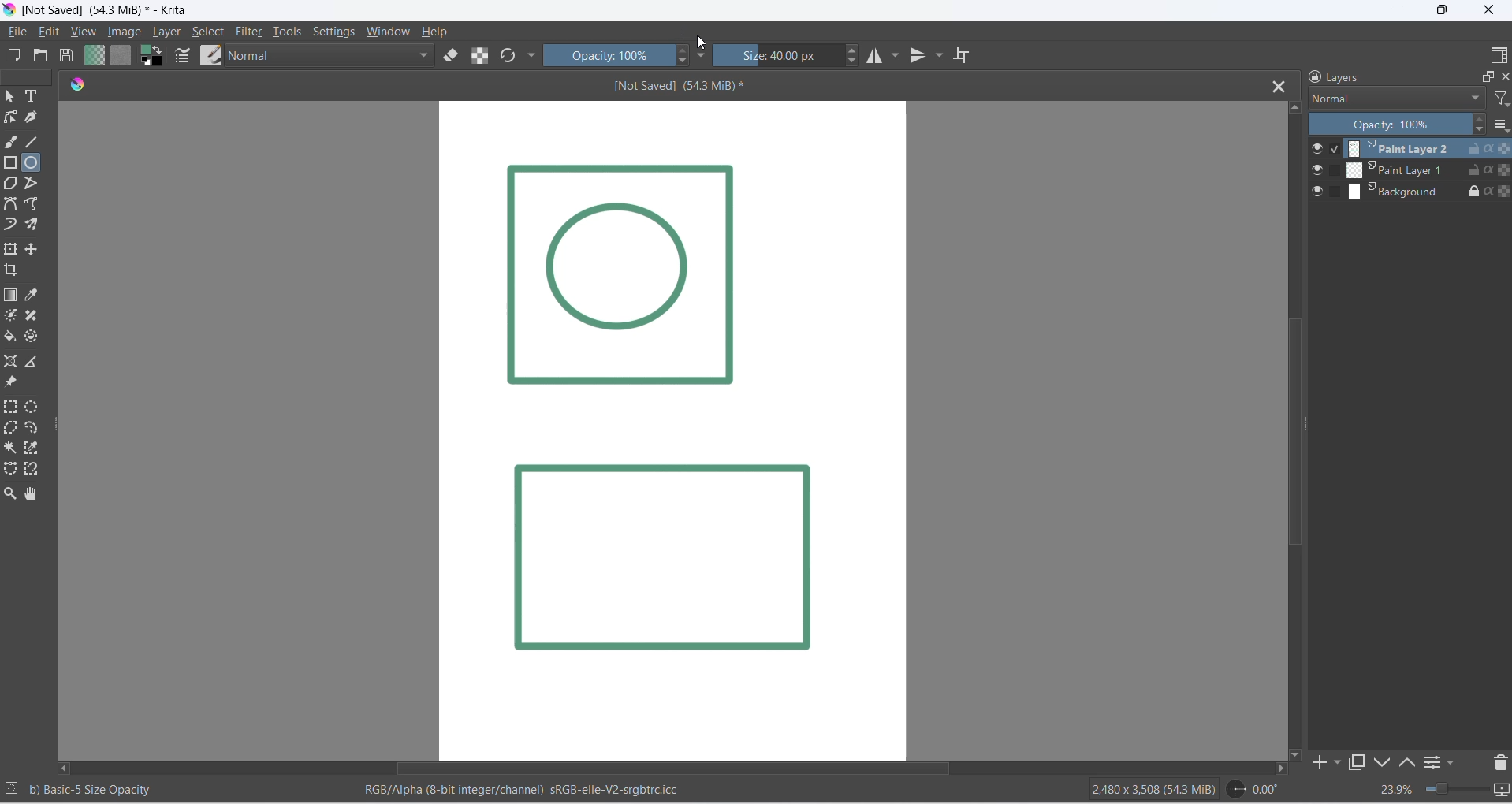 The height and width of the screenshot is (804, 1512). I want to click on open, so click(41, 56).